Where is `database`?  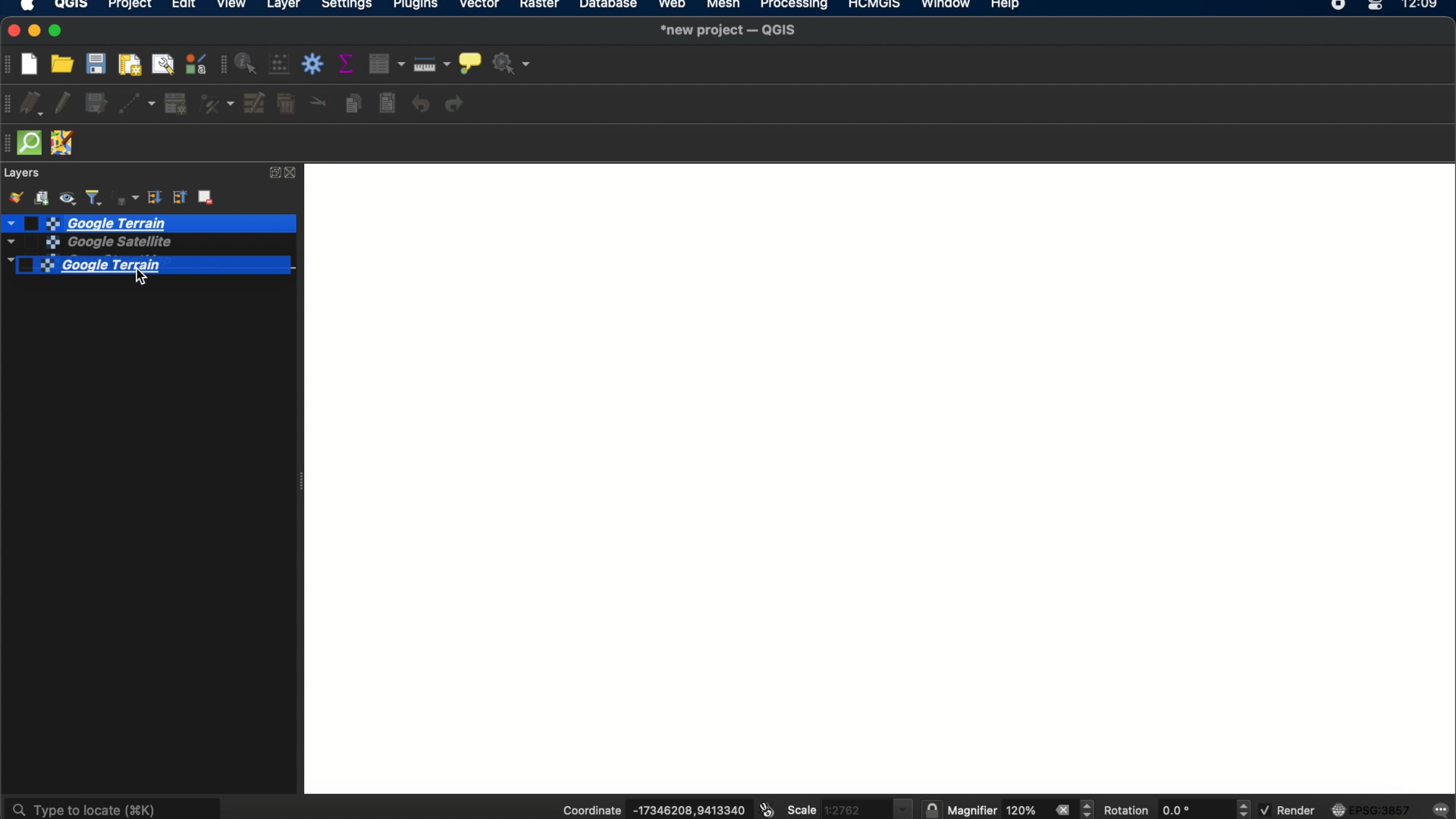 database is located at coordinates (609, 6).